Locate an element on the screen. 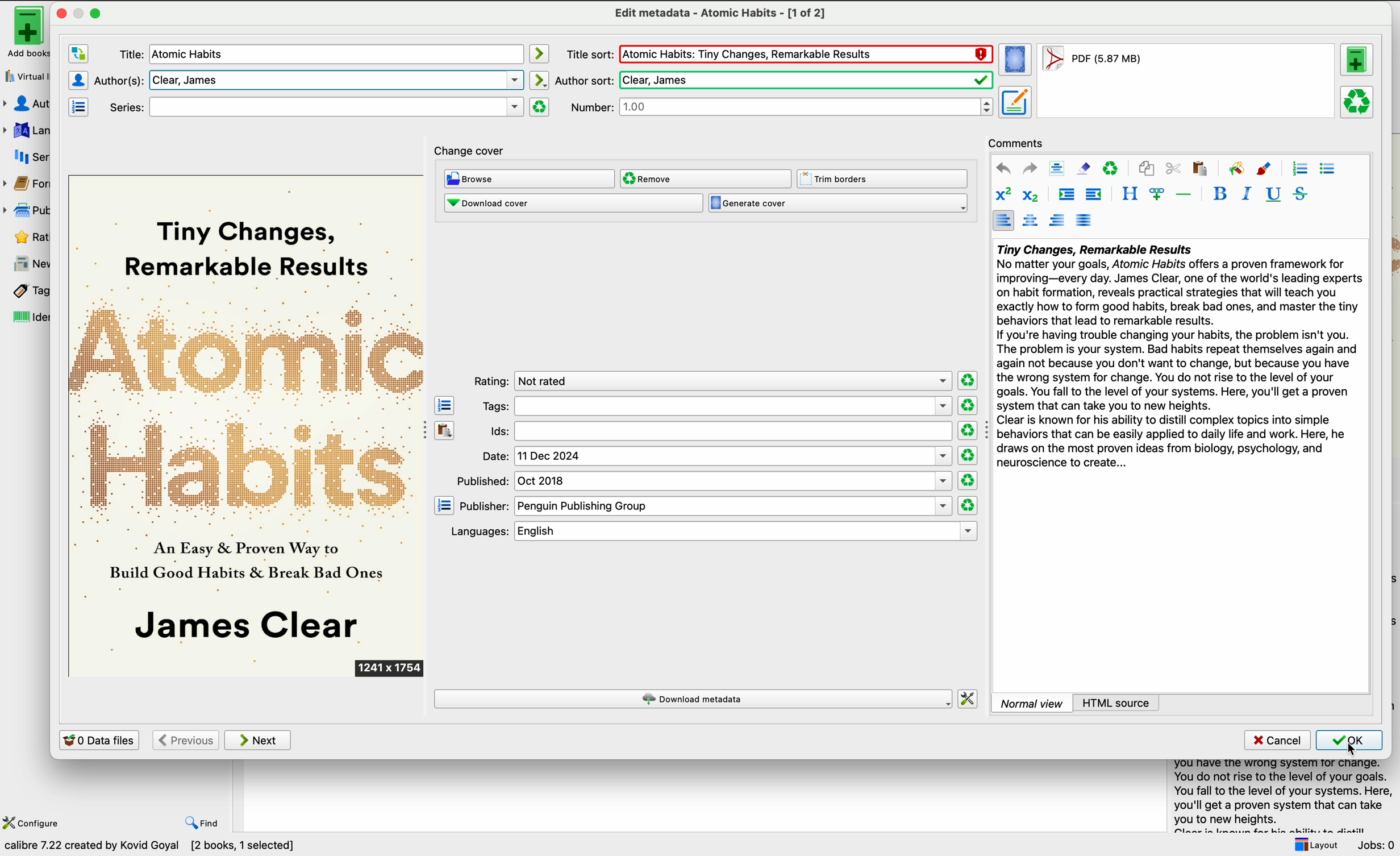 The width and height of the screenshot is (1400, 856). trim borders is located at coordinates (884, 178).